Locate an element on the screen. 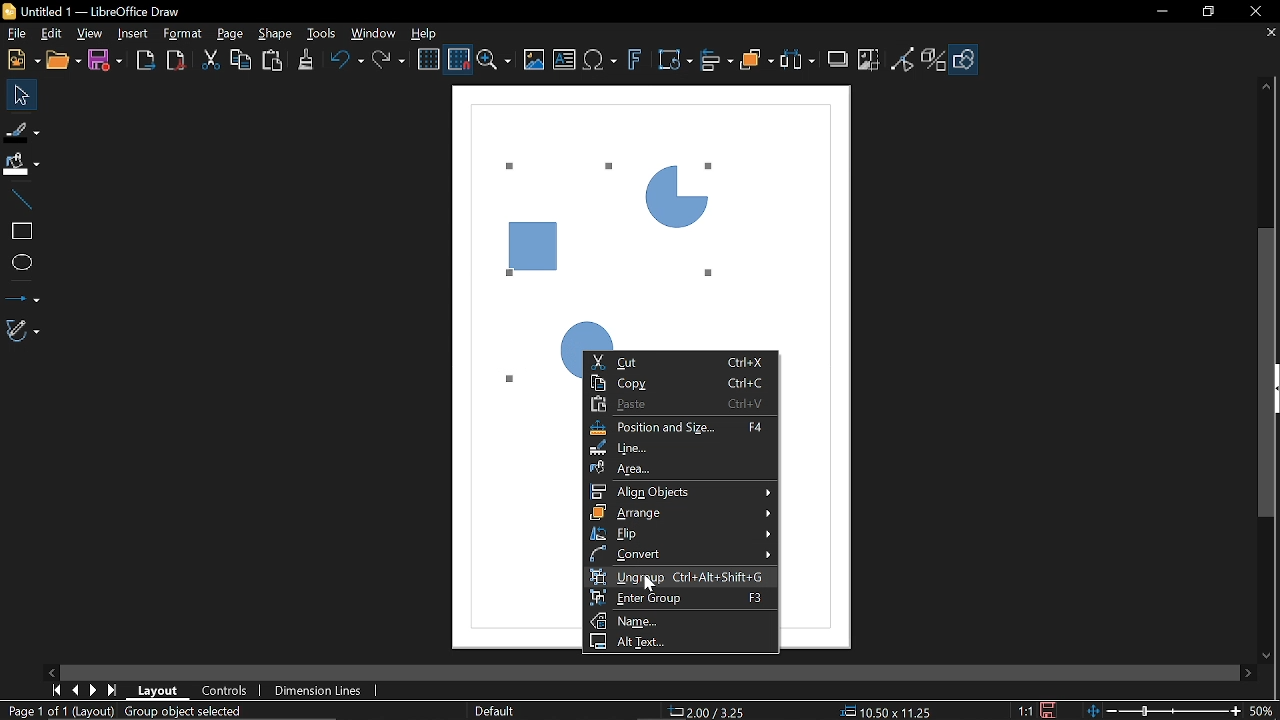 This screenshot has width=1280, height=720. New is located at coordinates (20, 60).